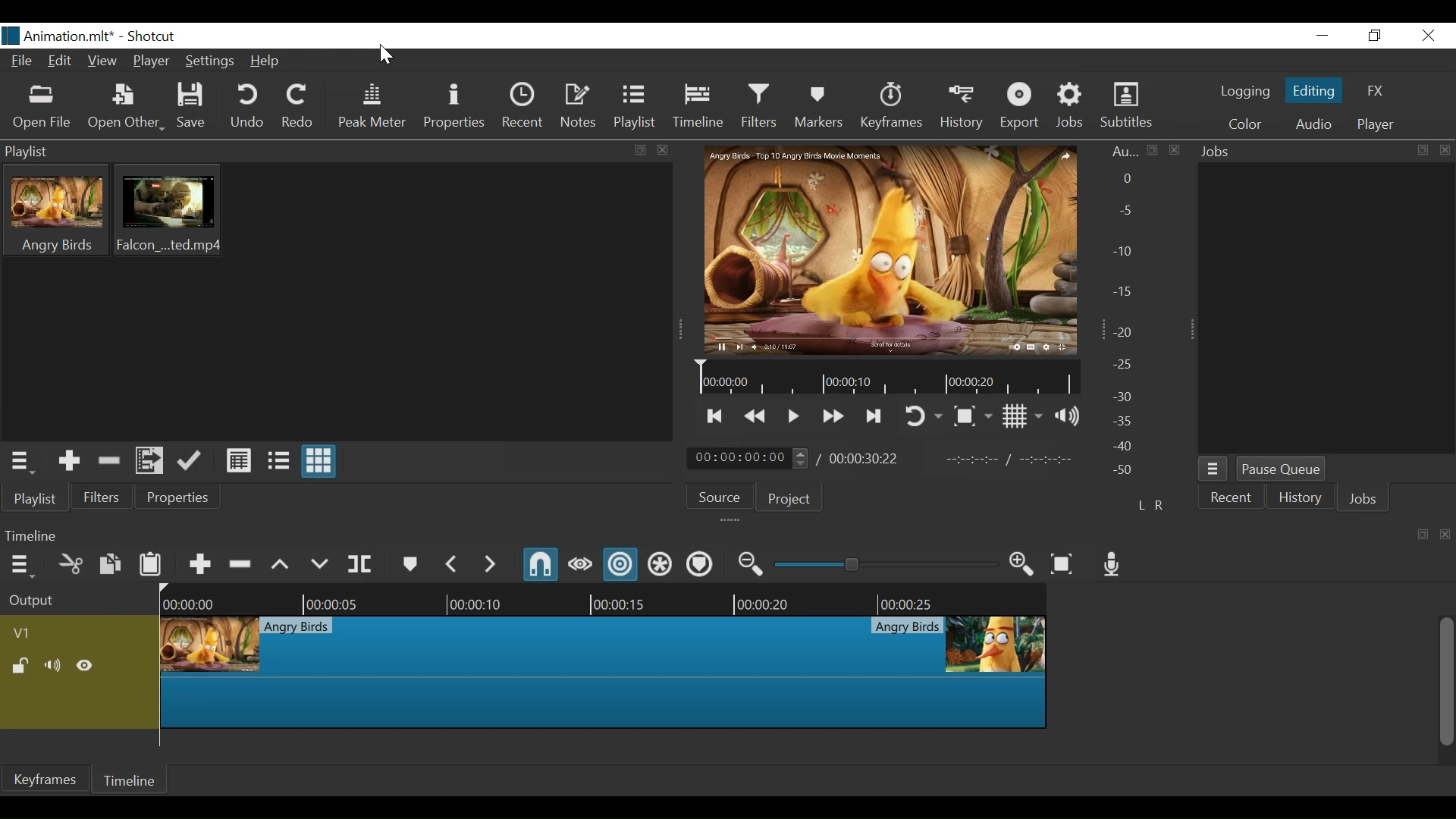 The image size is (1456, 819). I want to click on Properties, so click(456, 108).